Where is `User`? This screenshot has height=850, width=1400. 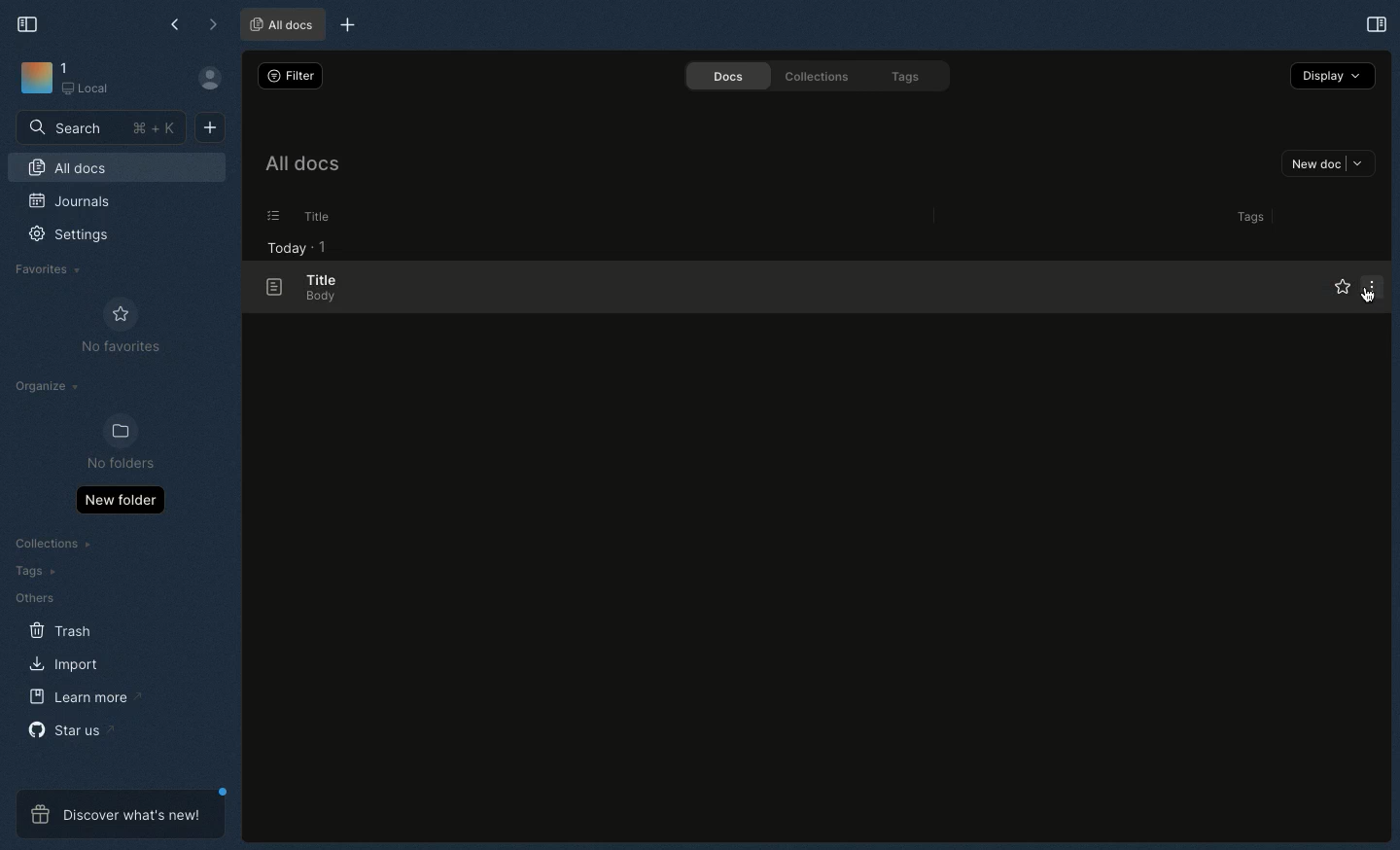 User is located at coordinates (218, 79).